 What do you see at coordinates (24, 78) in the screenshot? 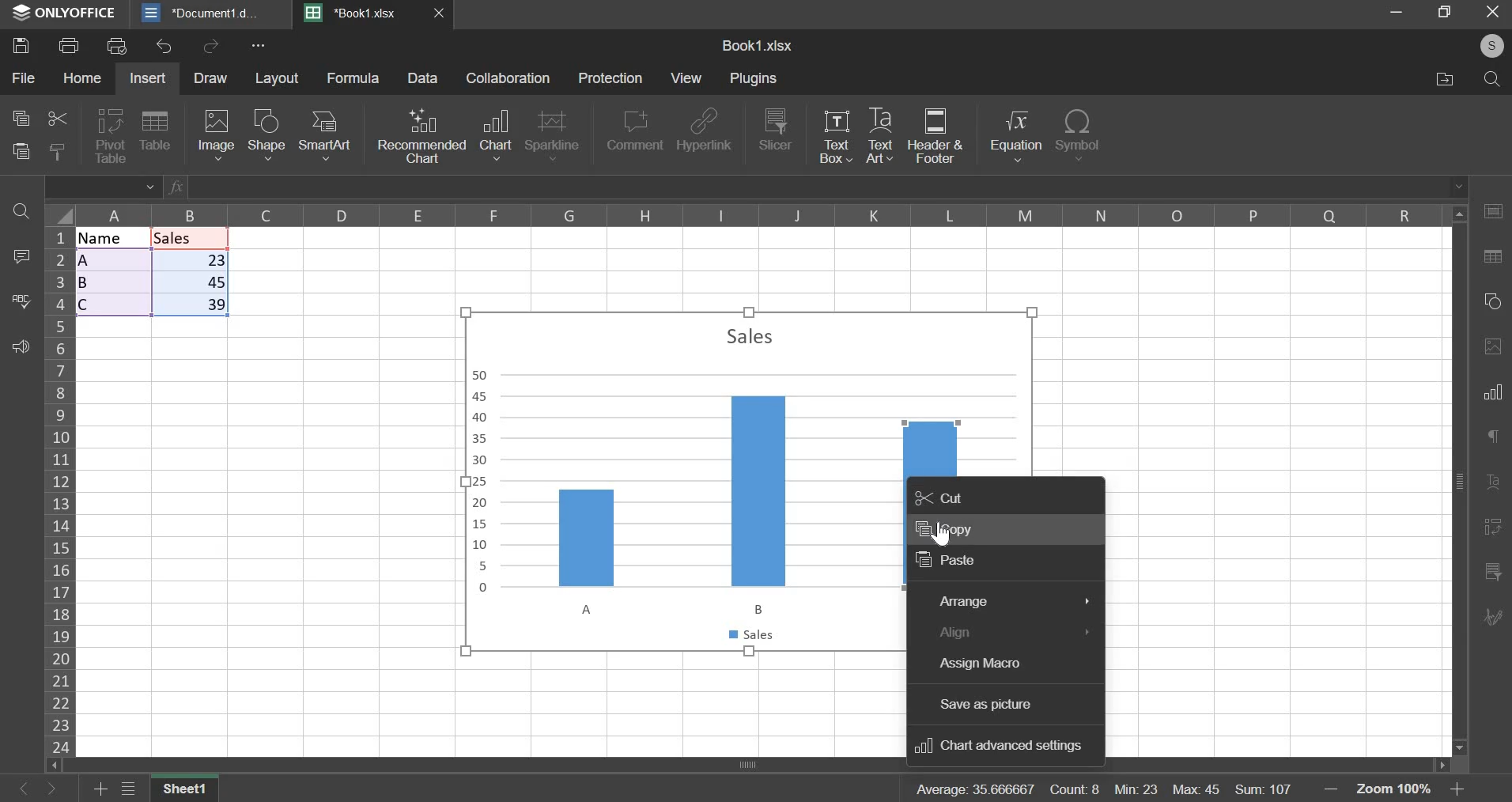
I see `file` at bounding box center [24, 78].